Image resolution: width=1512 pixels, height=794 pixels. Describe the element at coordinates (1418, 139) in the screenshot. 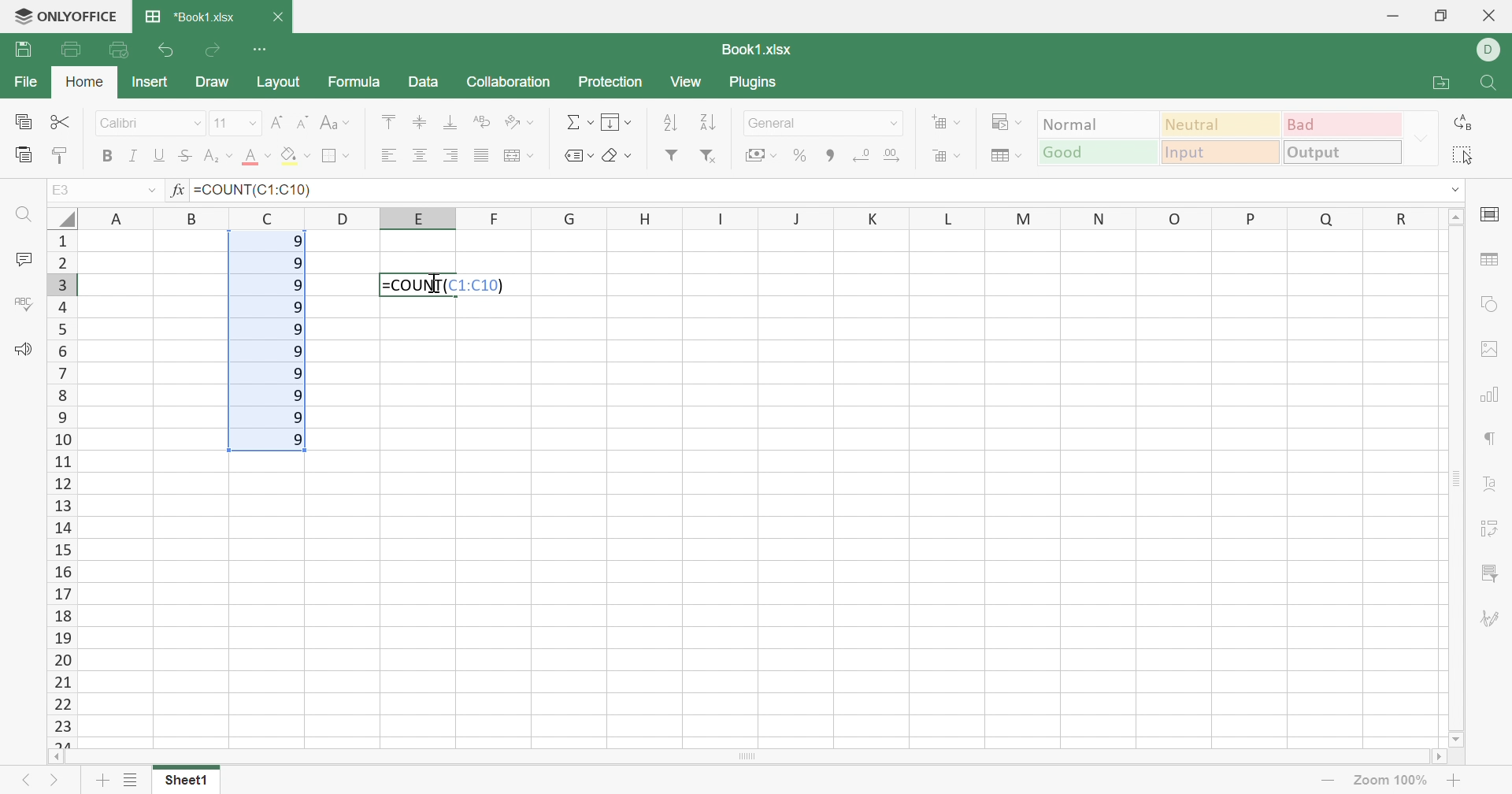

I see `Drop Down` at that location.